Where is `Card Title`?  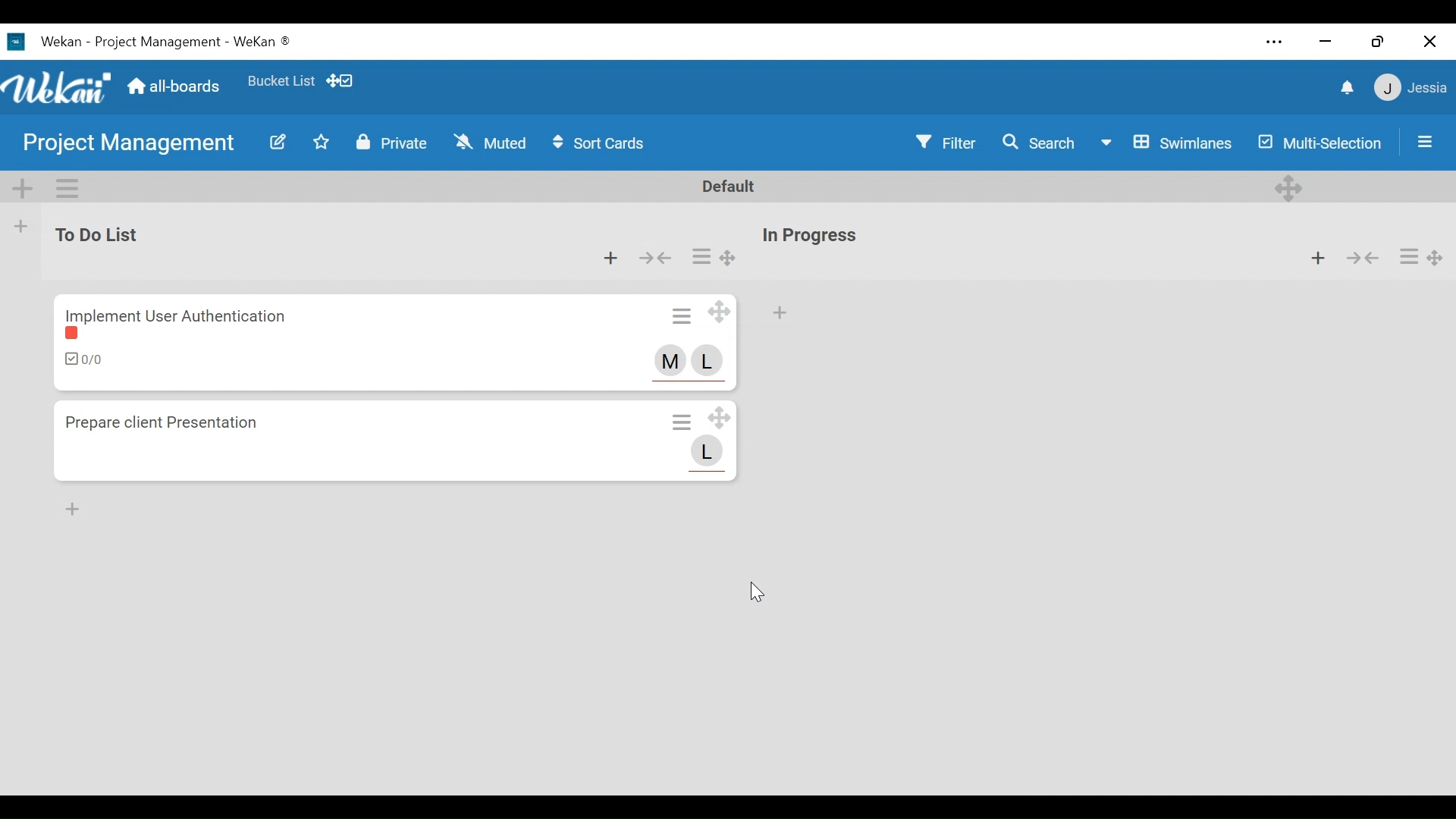
Card Title is located at coordinates (180, 422).